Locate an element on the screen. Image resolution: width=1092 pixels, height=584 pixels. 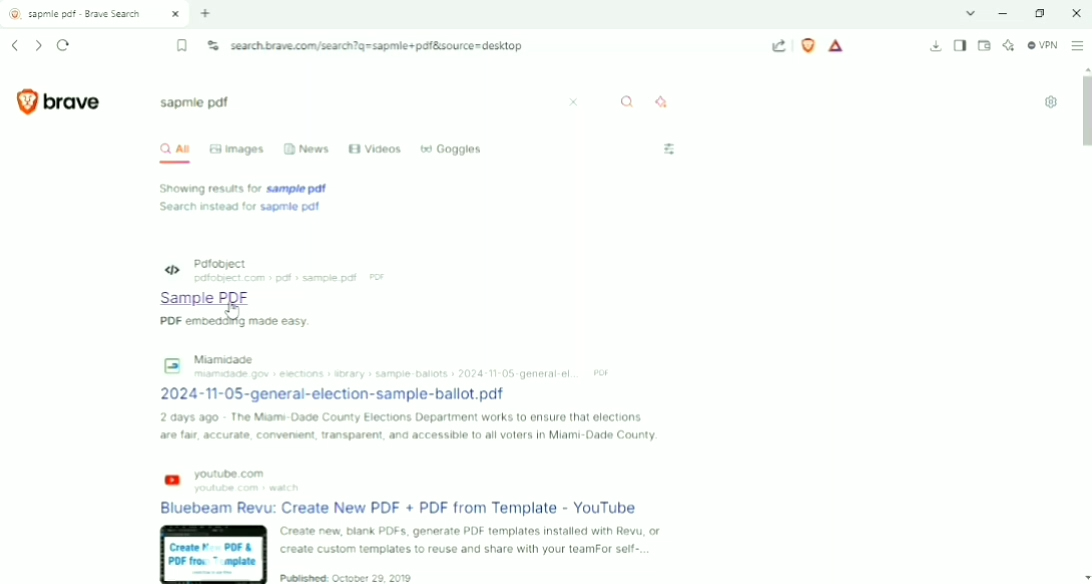
search bar is located at coordinates (356, 104).